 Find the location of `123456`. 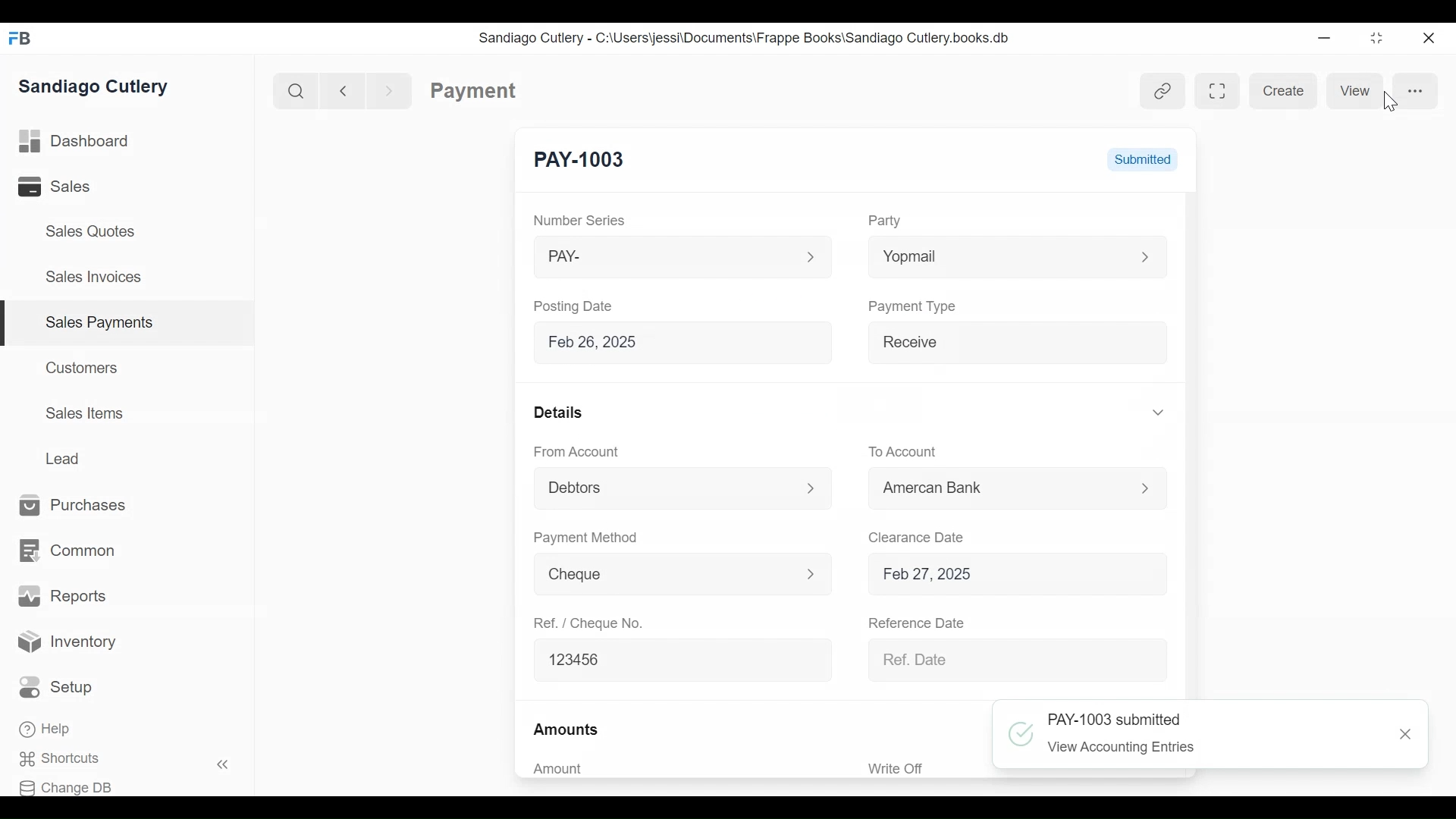

123456 is located at coordinates (682, 661).